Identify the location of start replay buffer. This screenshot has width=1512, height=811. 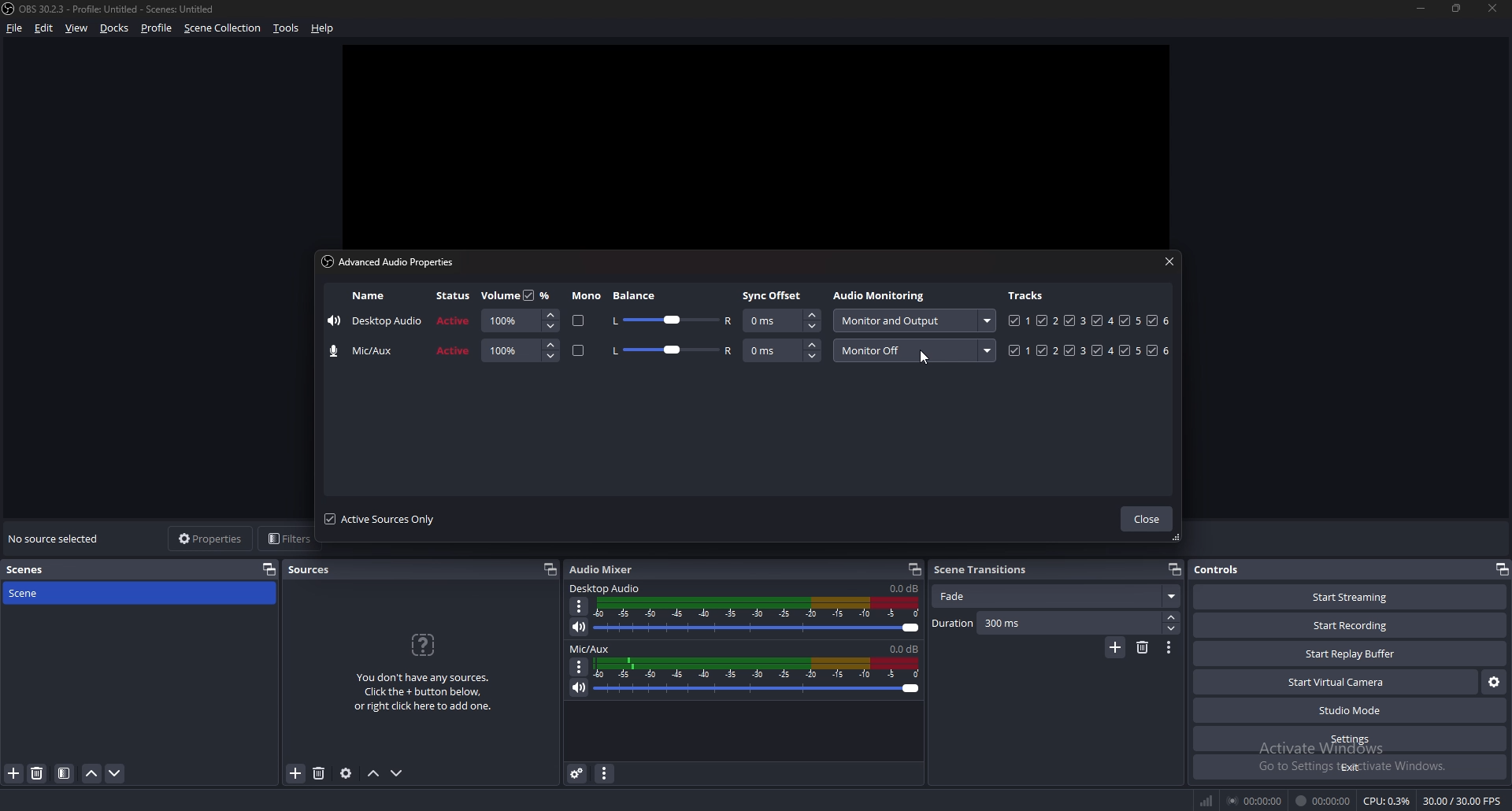
(1351, 654).